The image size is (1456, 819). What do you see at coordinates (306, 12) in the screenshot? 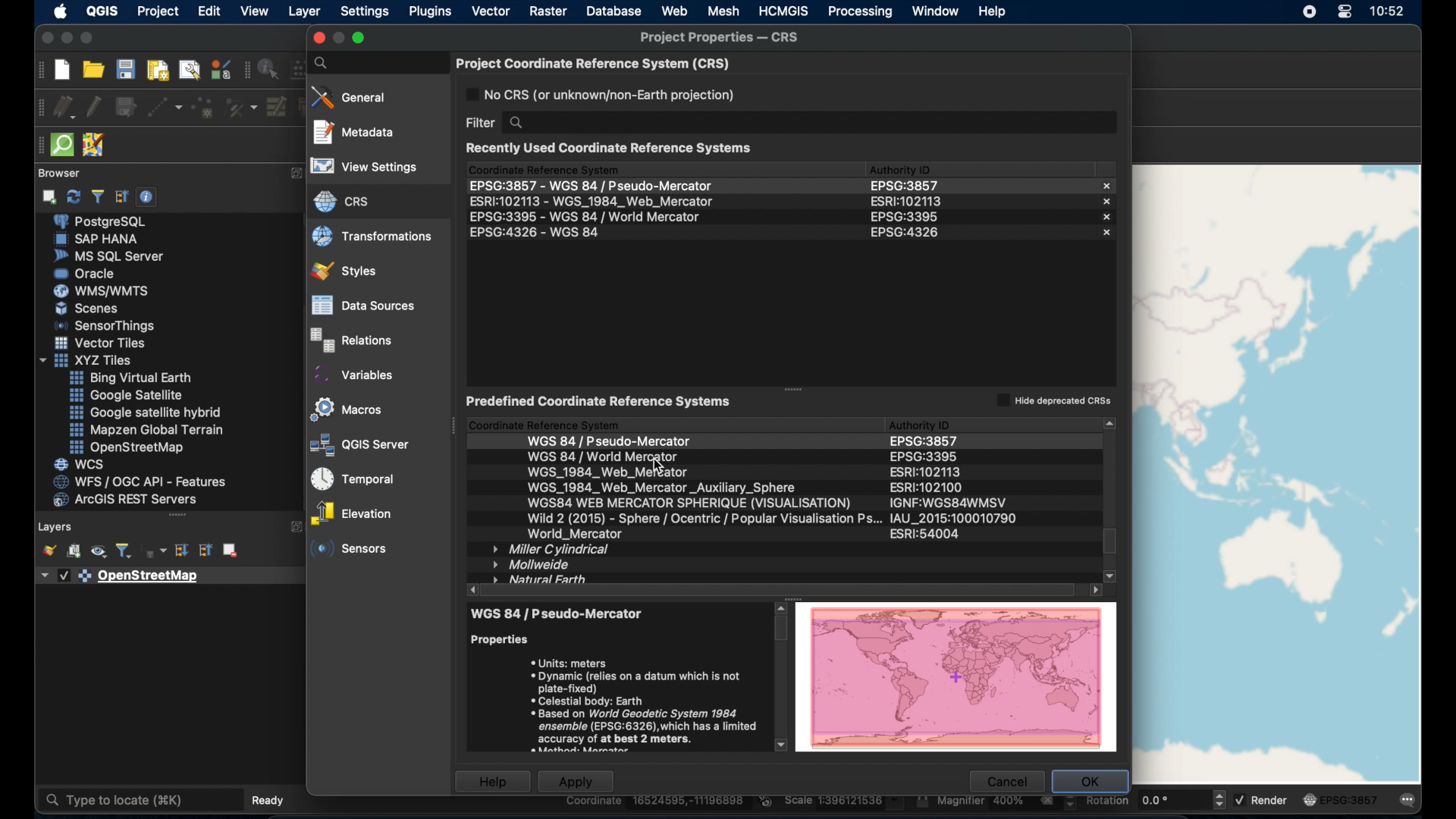
I see `layer` at bounding box center [306, 12].